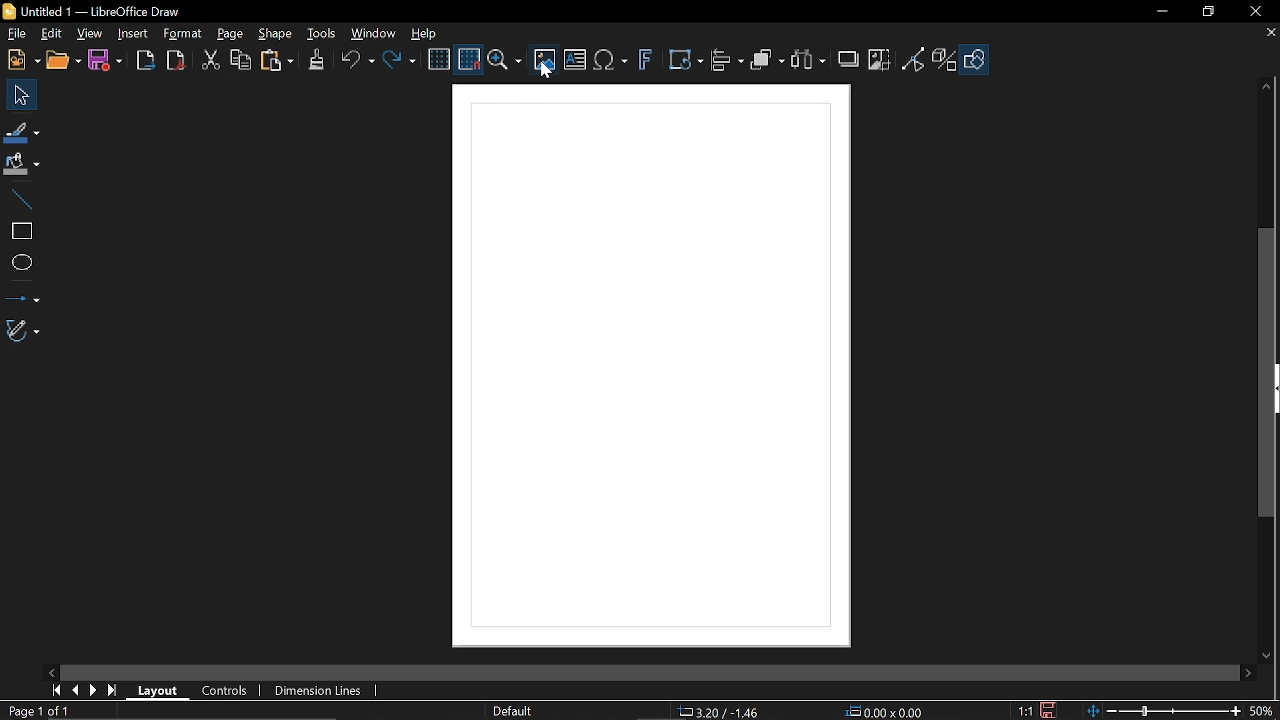 The height and width of the screenshot is (720, 1280). Describe the element at coordinates (611, 63) in the screenshot. I see `insert equation` at that location.